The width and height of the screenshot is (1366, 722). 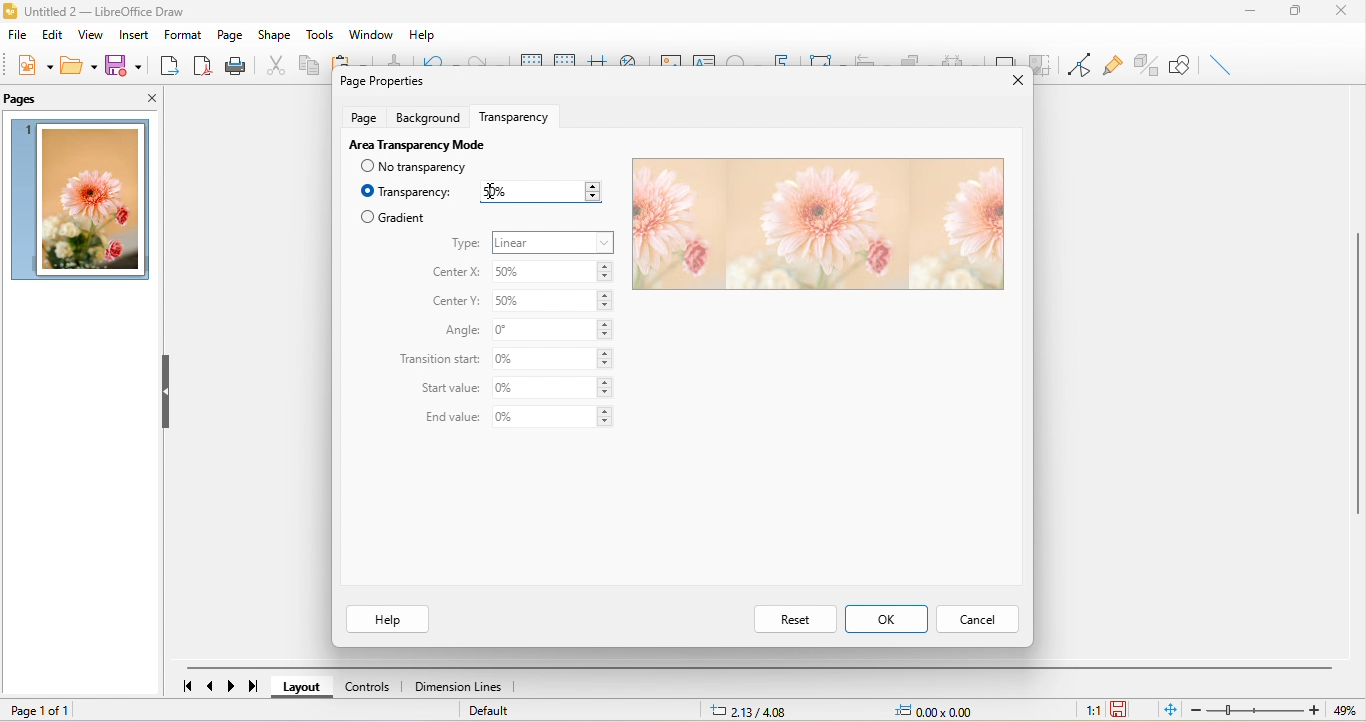 I want to click on pages, so click(x=25, y=100).